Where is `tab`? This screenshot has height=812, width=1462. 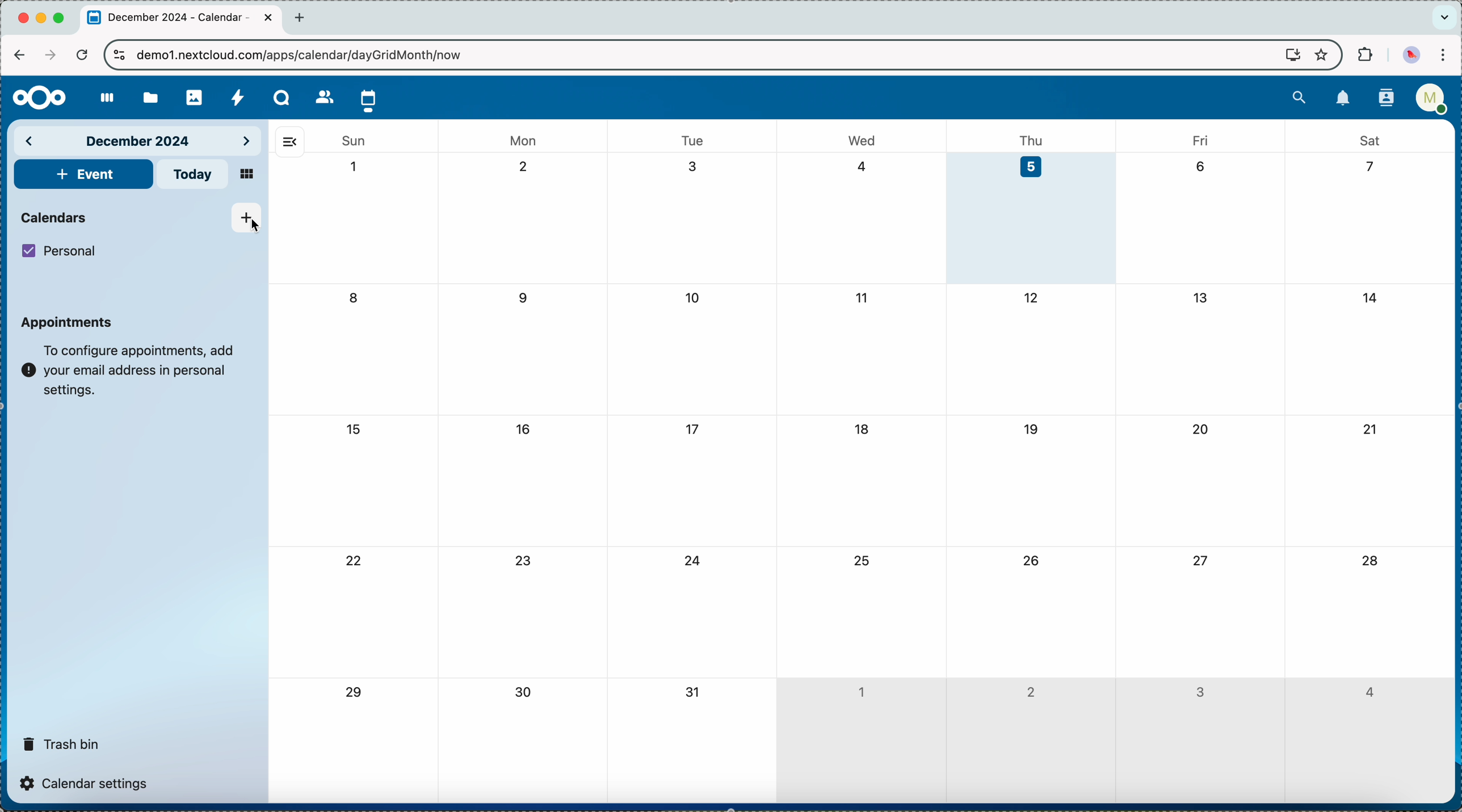 tab is located at coordinates (182, 19).